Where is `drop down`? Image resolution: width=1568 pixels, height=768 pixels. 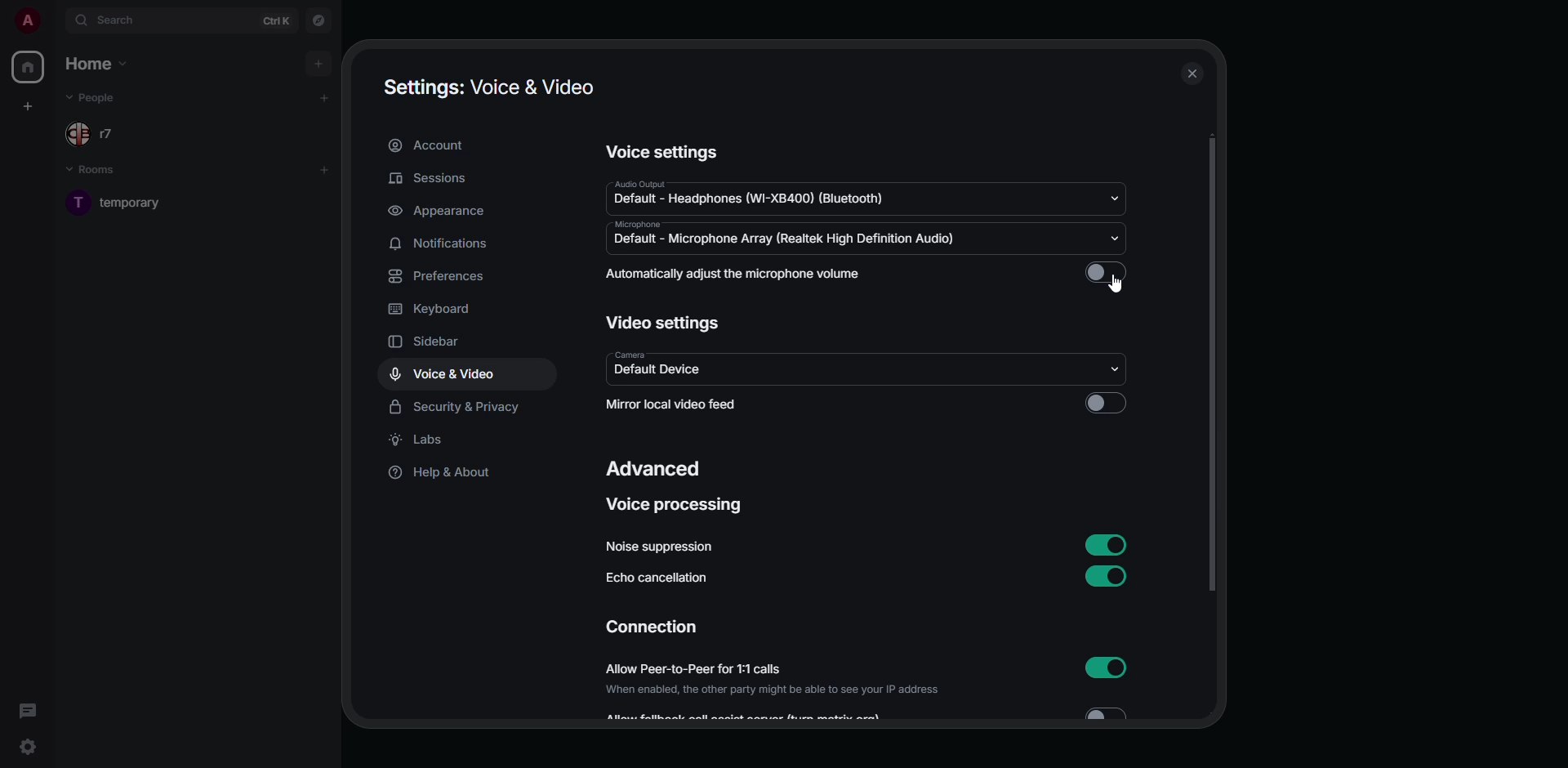
drop down is located at coordinates (1112, 368).